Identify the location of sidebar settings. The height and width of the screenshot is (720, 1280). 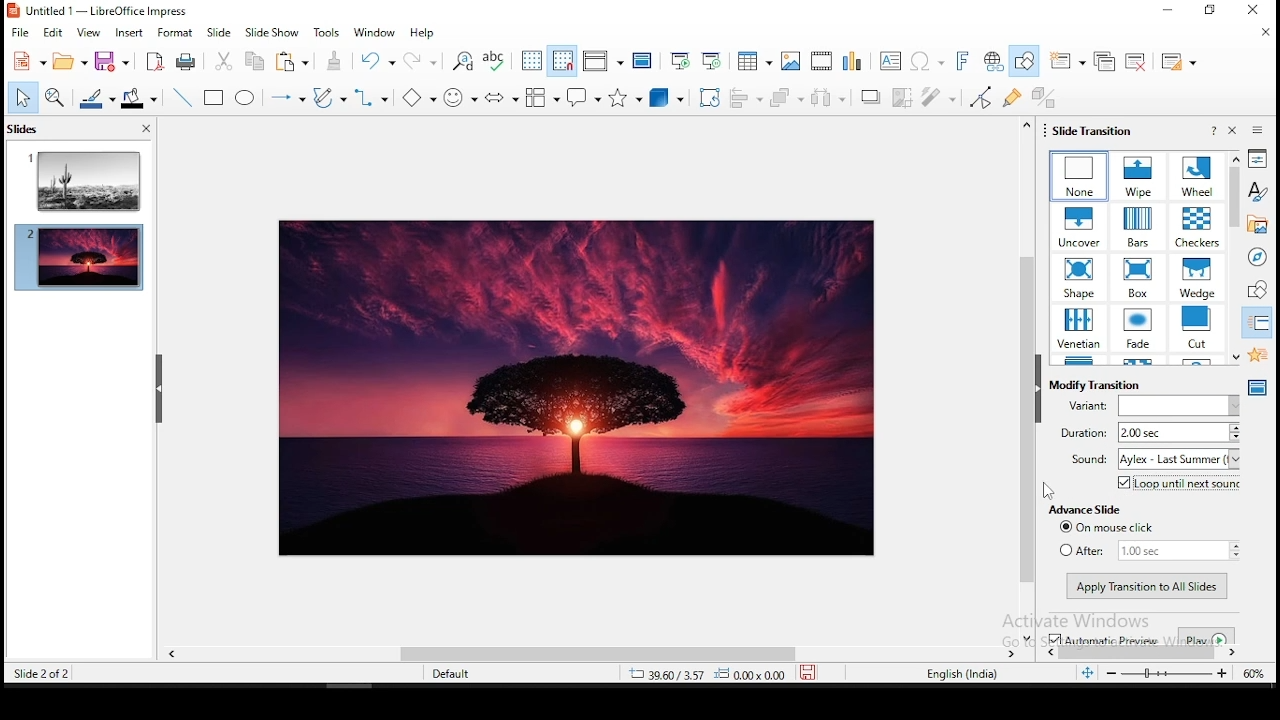
(1259, 130).